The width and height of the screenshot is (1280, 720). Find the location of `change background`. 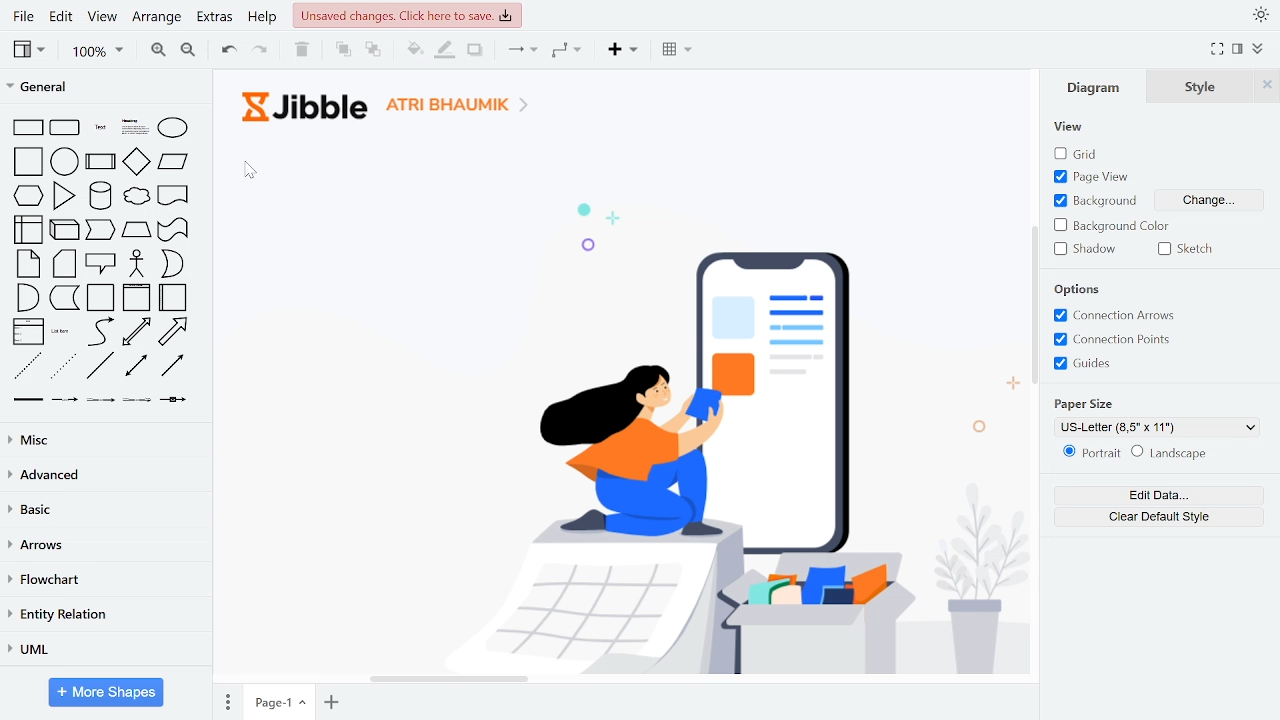

change background is located at coordinates (1209, 200).